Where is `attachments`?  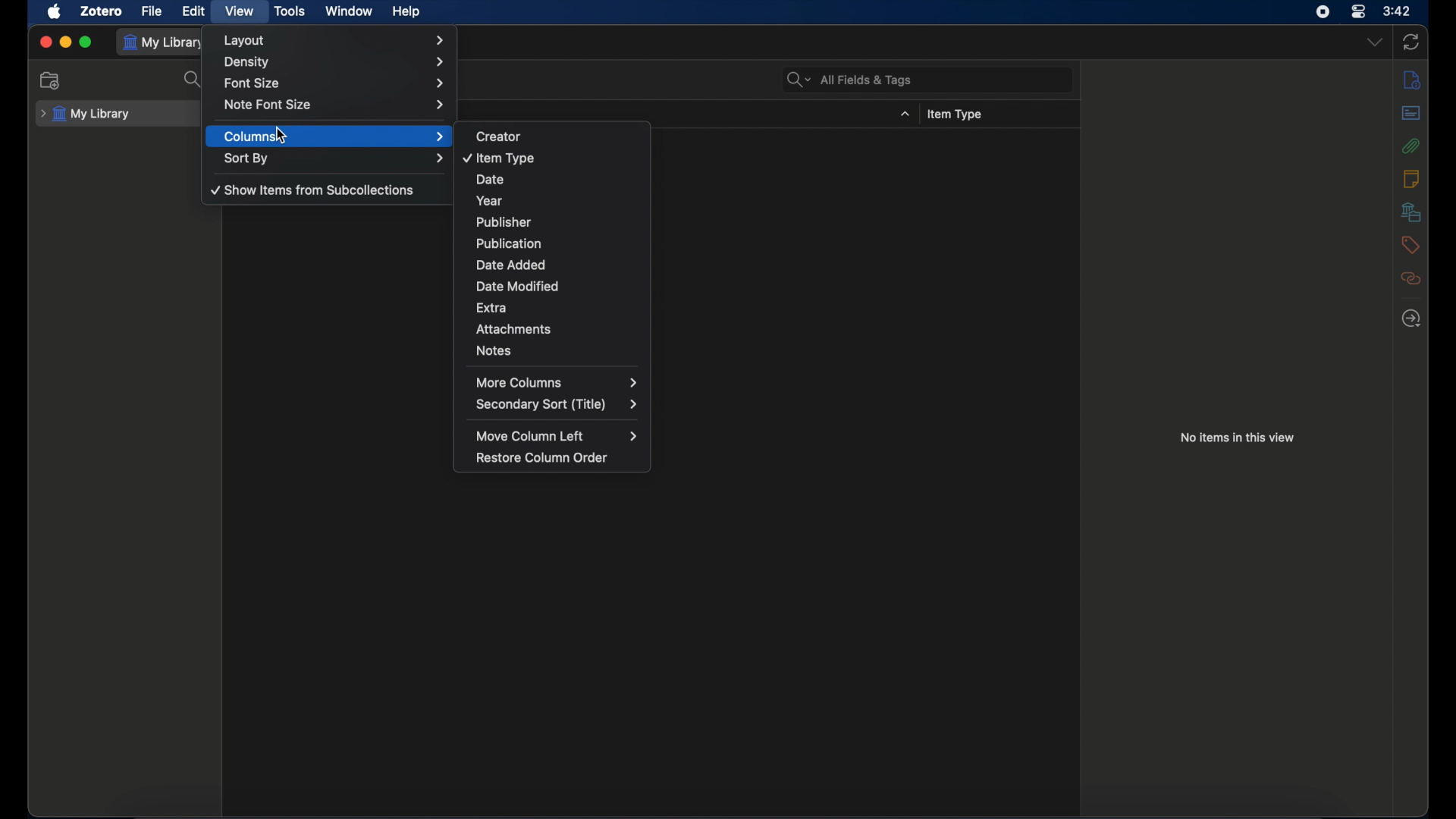
attachments is located at coordinates (1410, 146).